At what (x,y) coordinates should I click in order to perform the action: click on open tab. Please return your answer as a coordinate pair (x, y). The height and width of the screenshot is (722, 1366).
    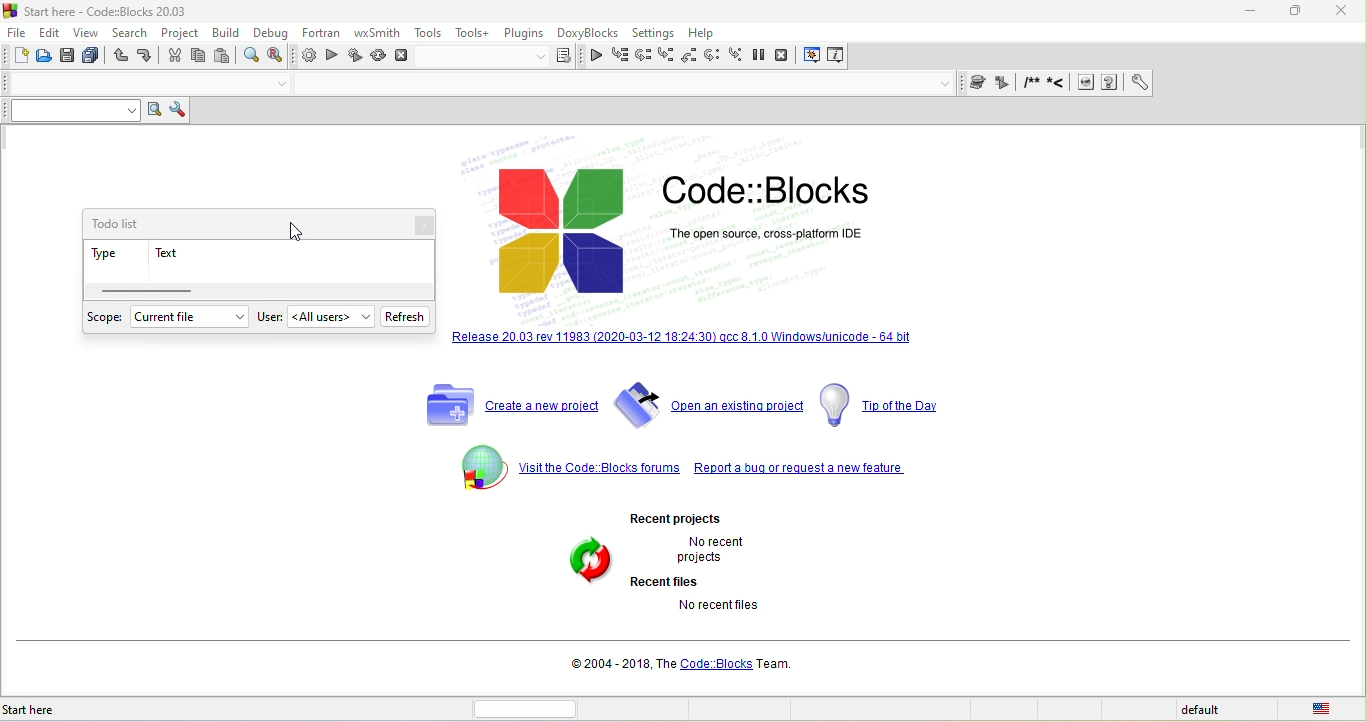
    Looking at the image, I should click on (619, 85).